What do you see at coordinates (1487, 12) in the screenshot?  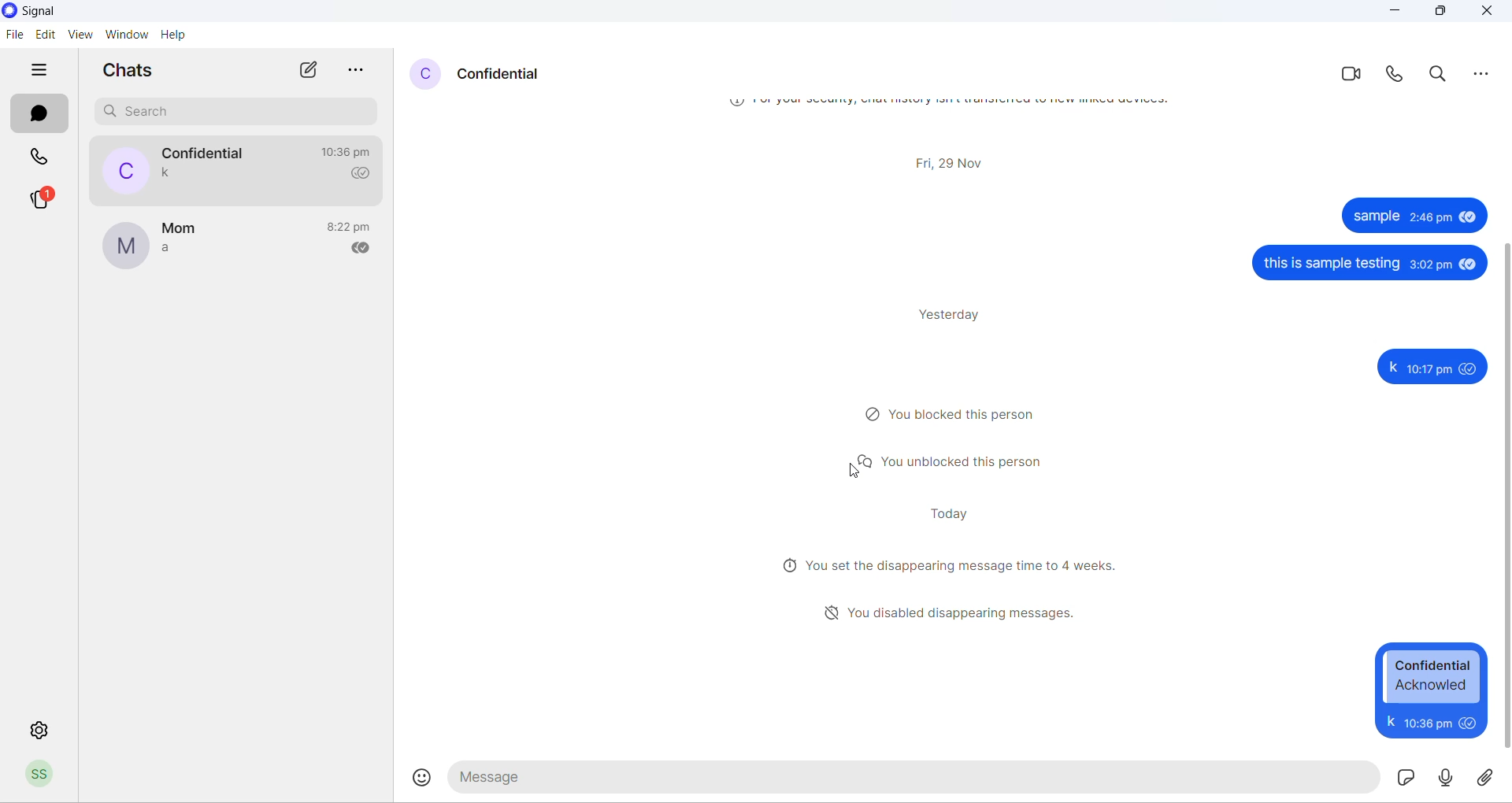 I see `close` at bounding box center [1487, 12].